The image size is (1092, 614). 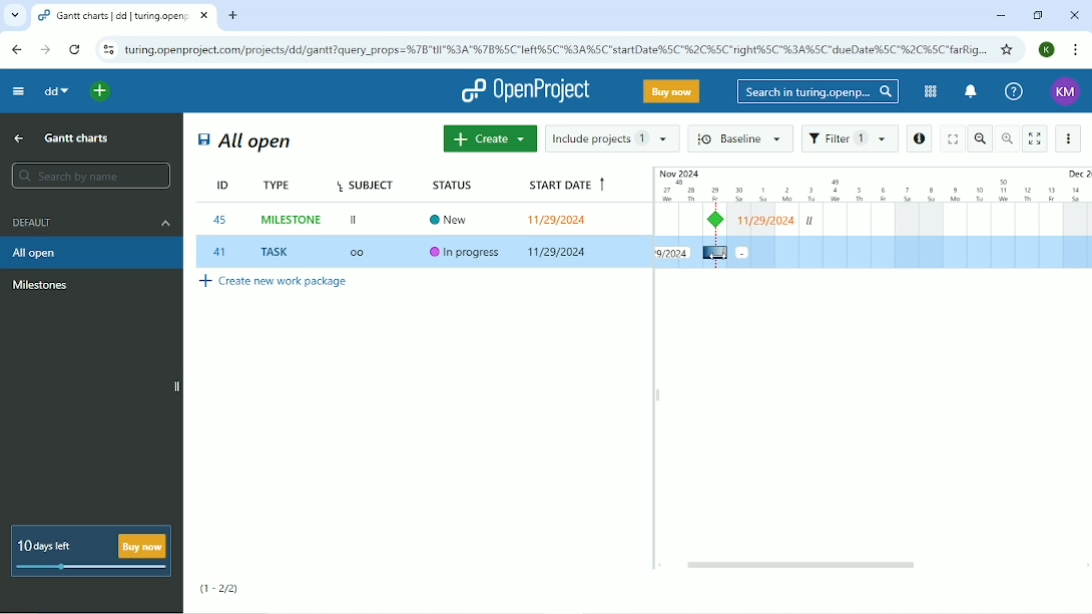 What do you see at coordinates (951, 138) in the screenshot?
I see `Fullscreen` at bounding box center [951, 138].